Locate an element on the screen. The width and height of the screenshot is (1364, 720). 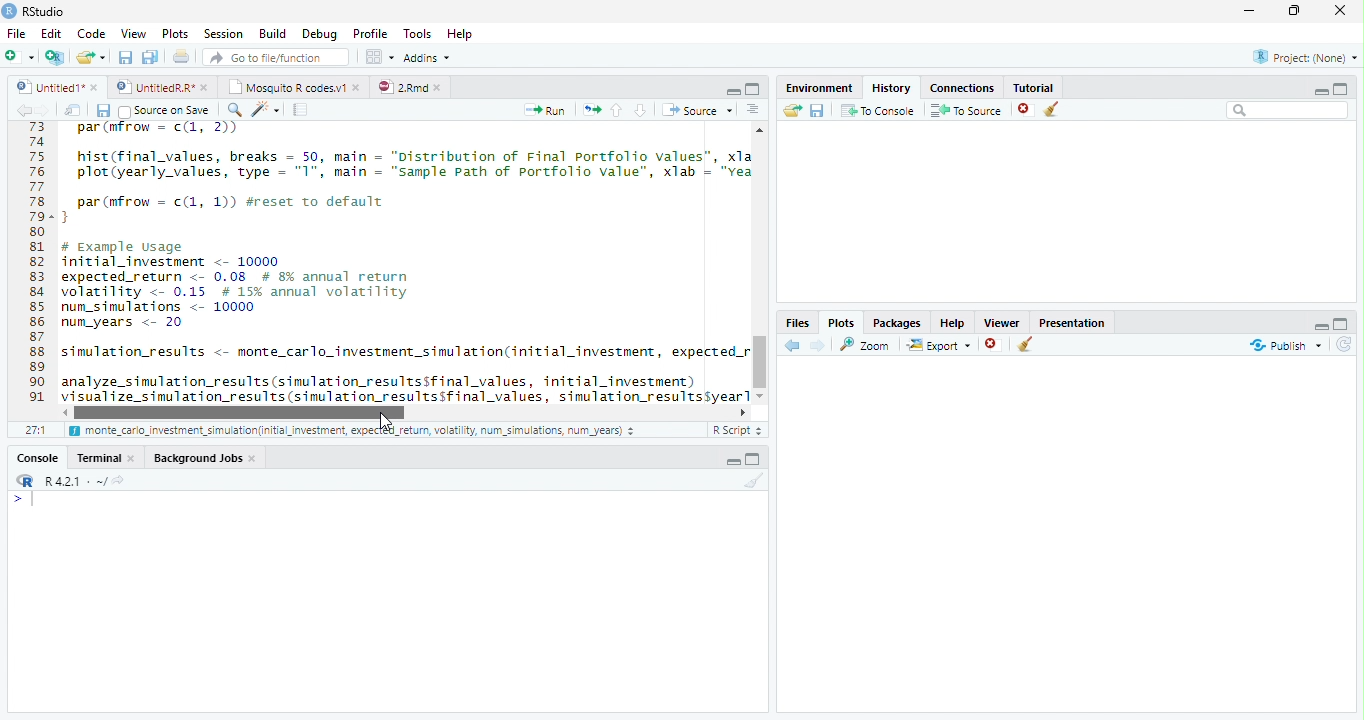
Save is located at coordinates (103, 110).